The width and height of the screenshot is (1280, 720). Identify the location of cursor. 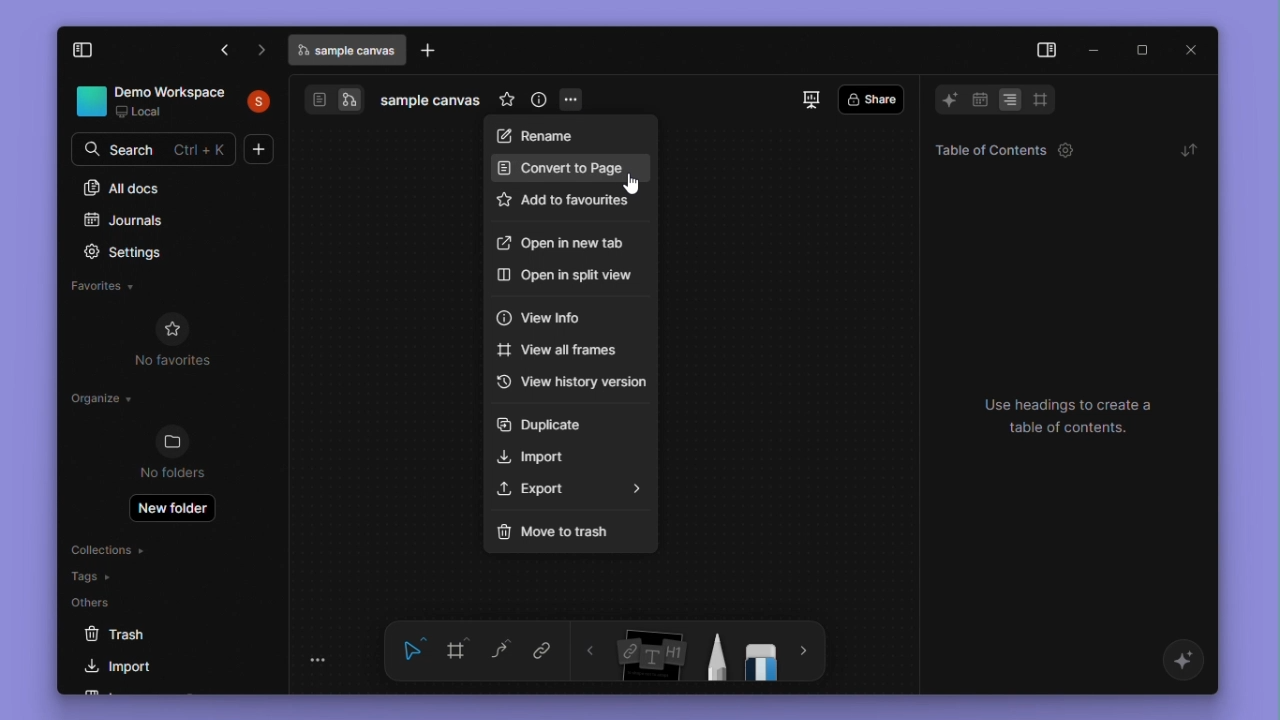
(633, 186).